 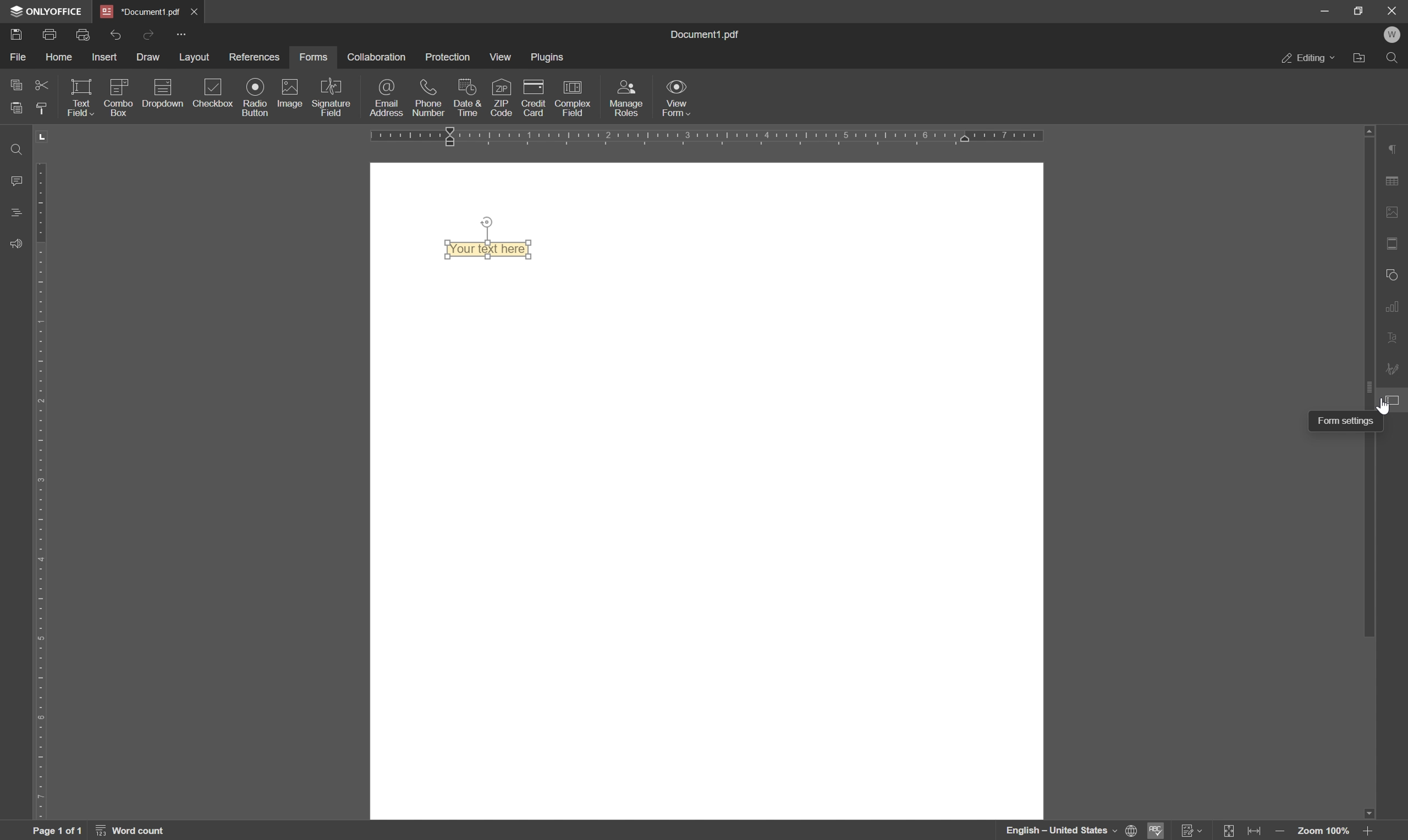 I want to click on Save, so click(x=17, y=36).